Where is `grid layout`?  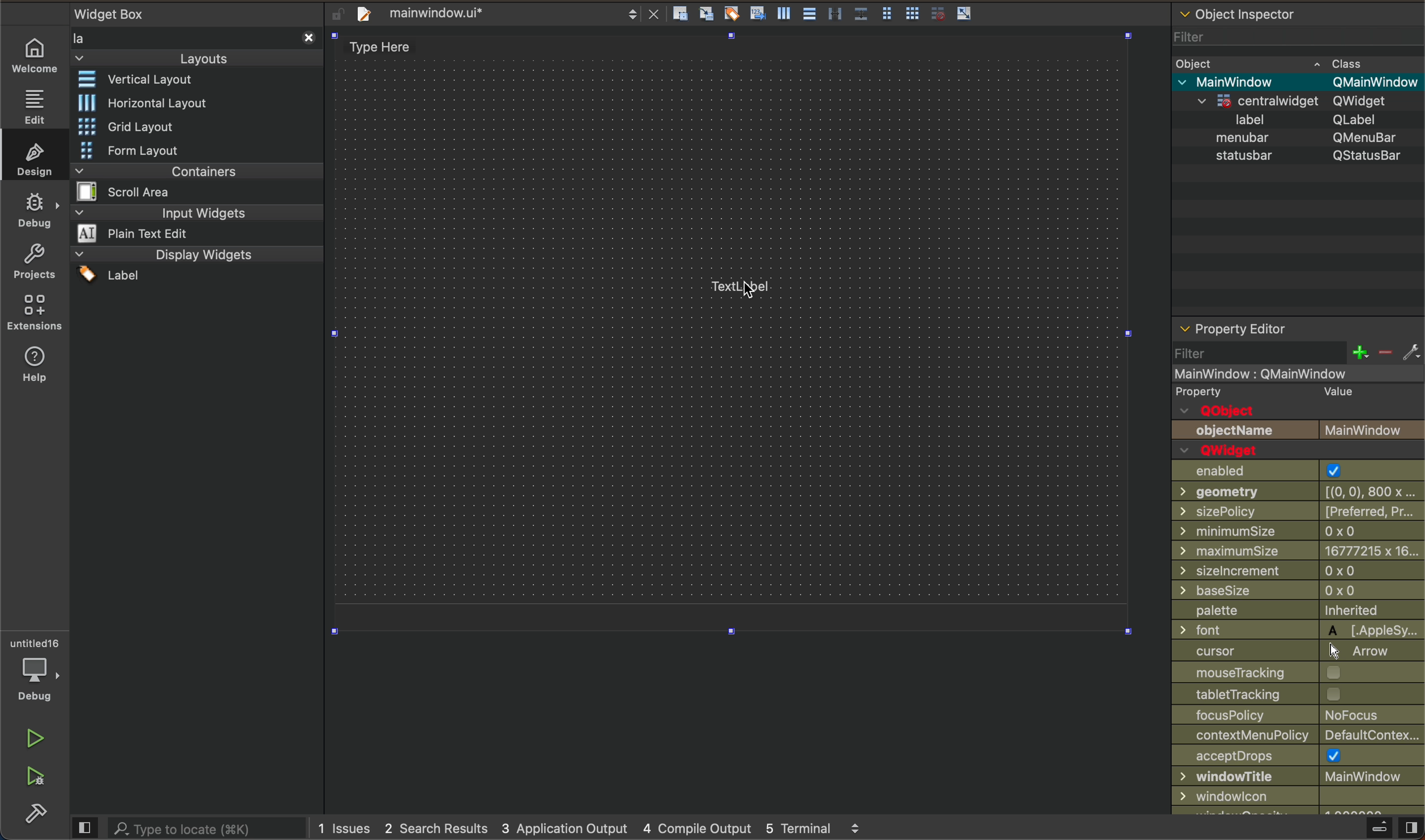 grid layout is located at coordinates (134, 124).